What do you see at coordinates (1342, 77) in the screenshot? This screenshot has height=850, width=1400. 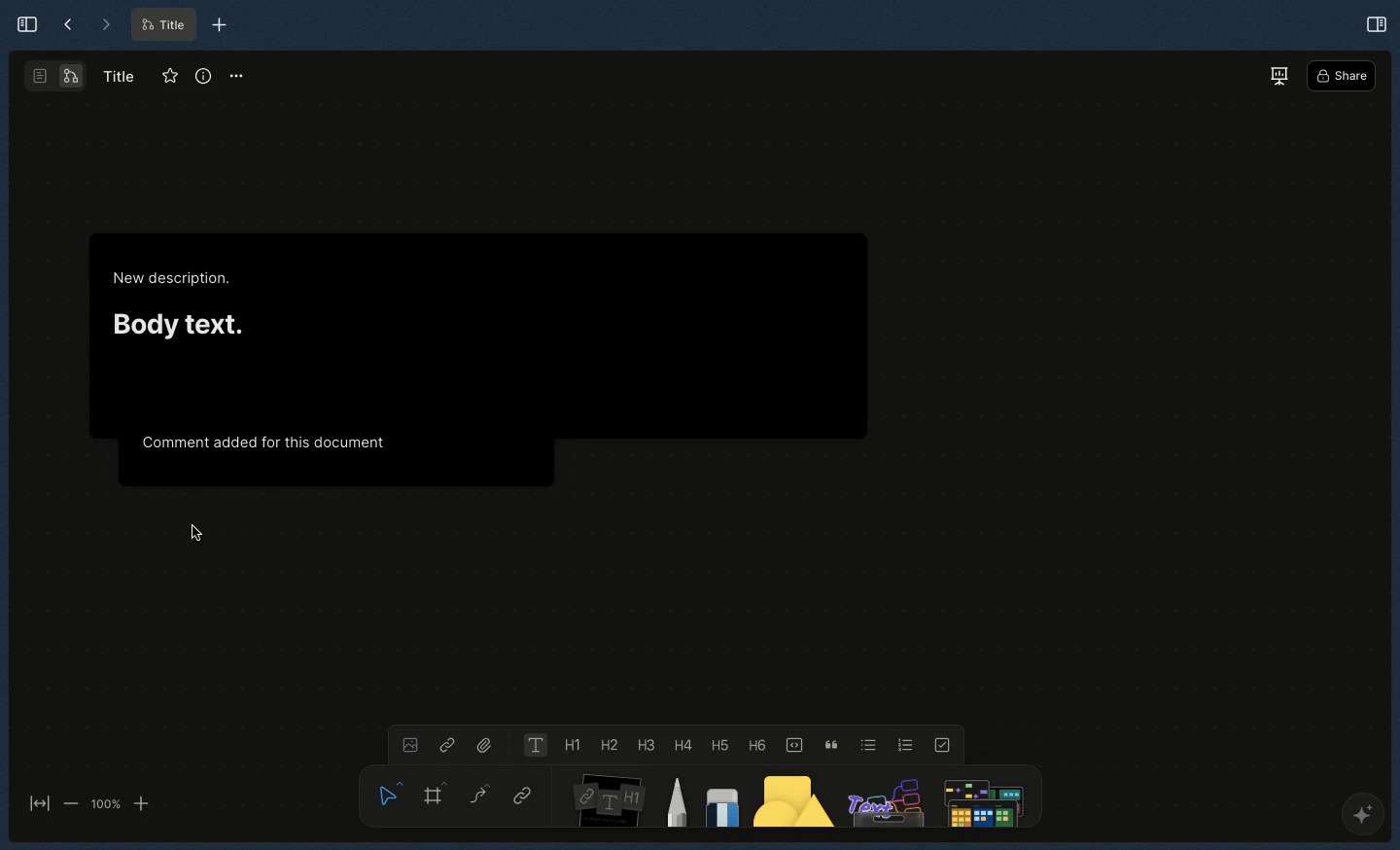 I see `Share` at bounding box center [1342, 77].